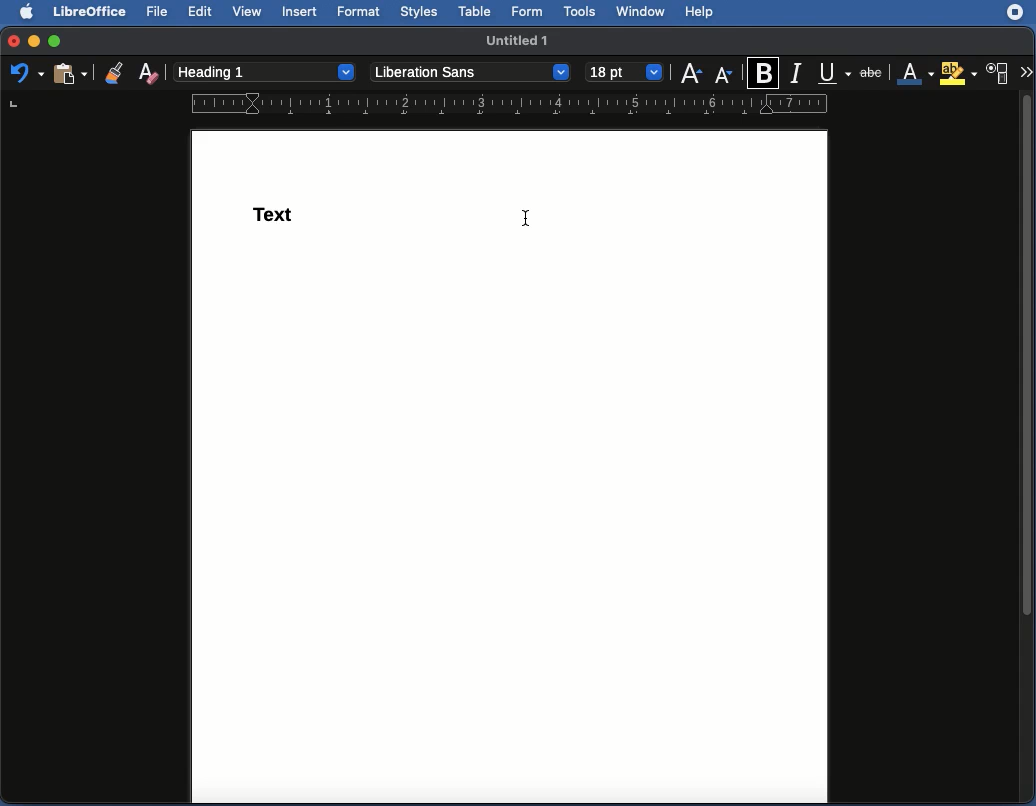 This screenshot has width=1036, height=806. What do you see at coordinates (764, 70) in the screenshot?
I see `Bold` at bounding box center [764, 70].